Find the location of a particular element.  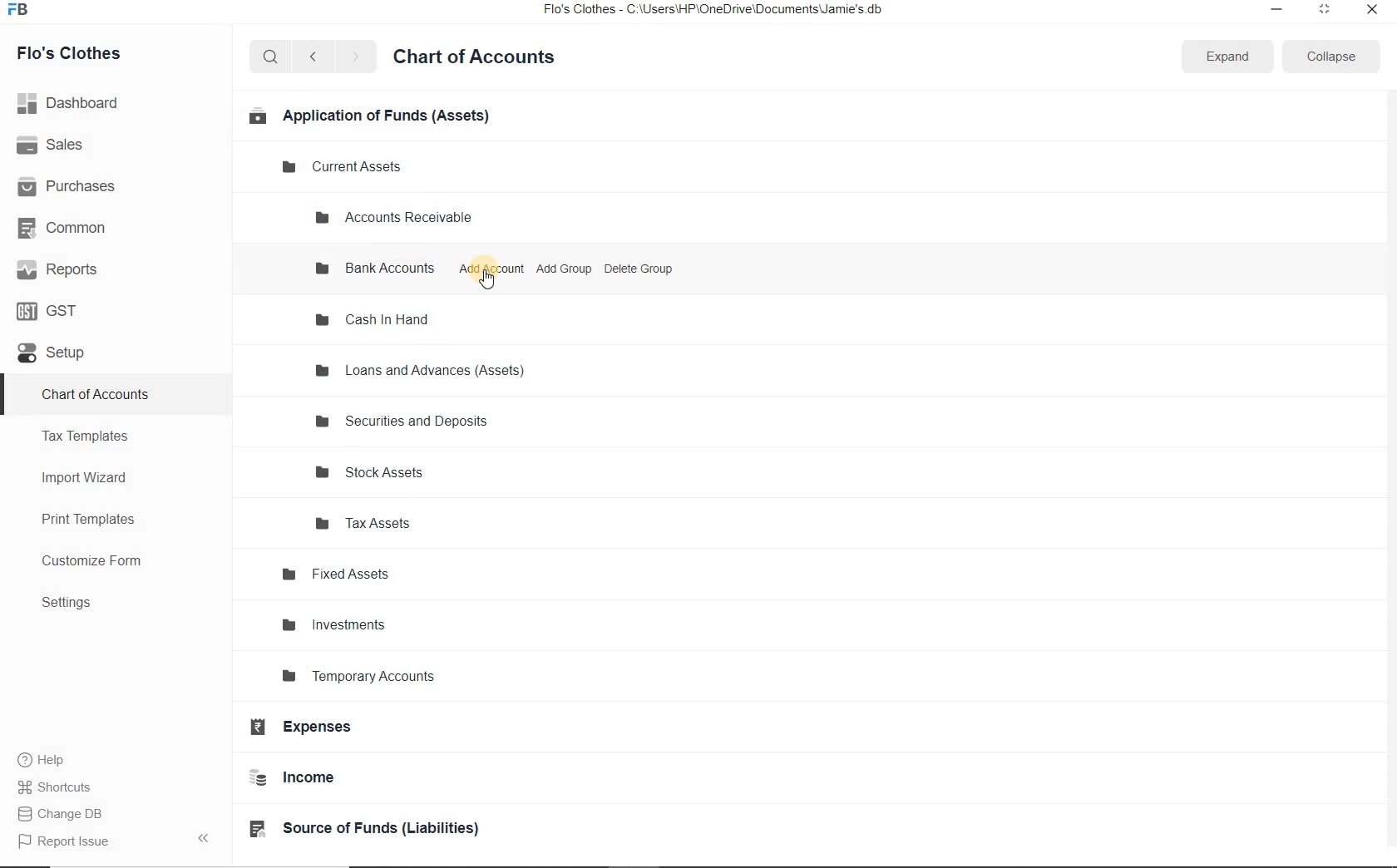

minimize is located at coordinates (1275, 8).